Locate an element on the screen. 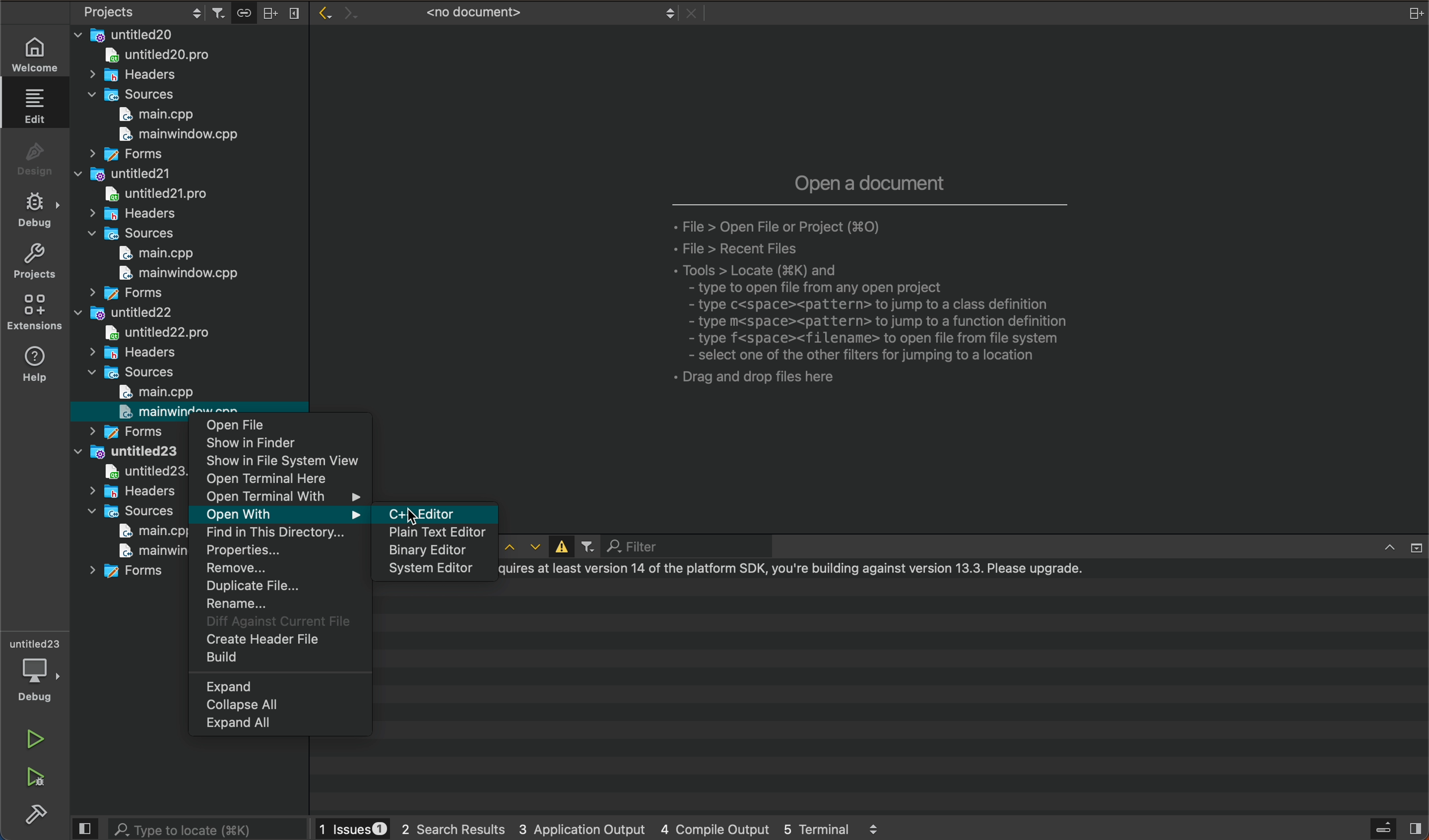  sources is located at coordinates (129, 511).